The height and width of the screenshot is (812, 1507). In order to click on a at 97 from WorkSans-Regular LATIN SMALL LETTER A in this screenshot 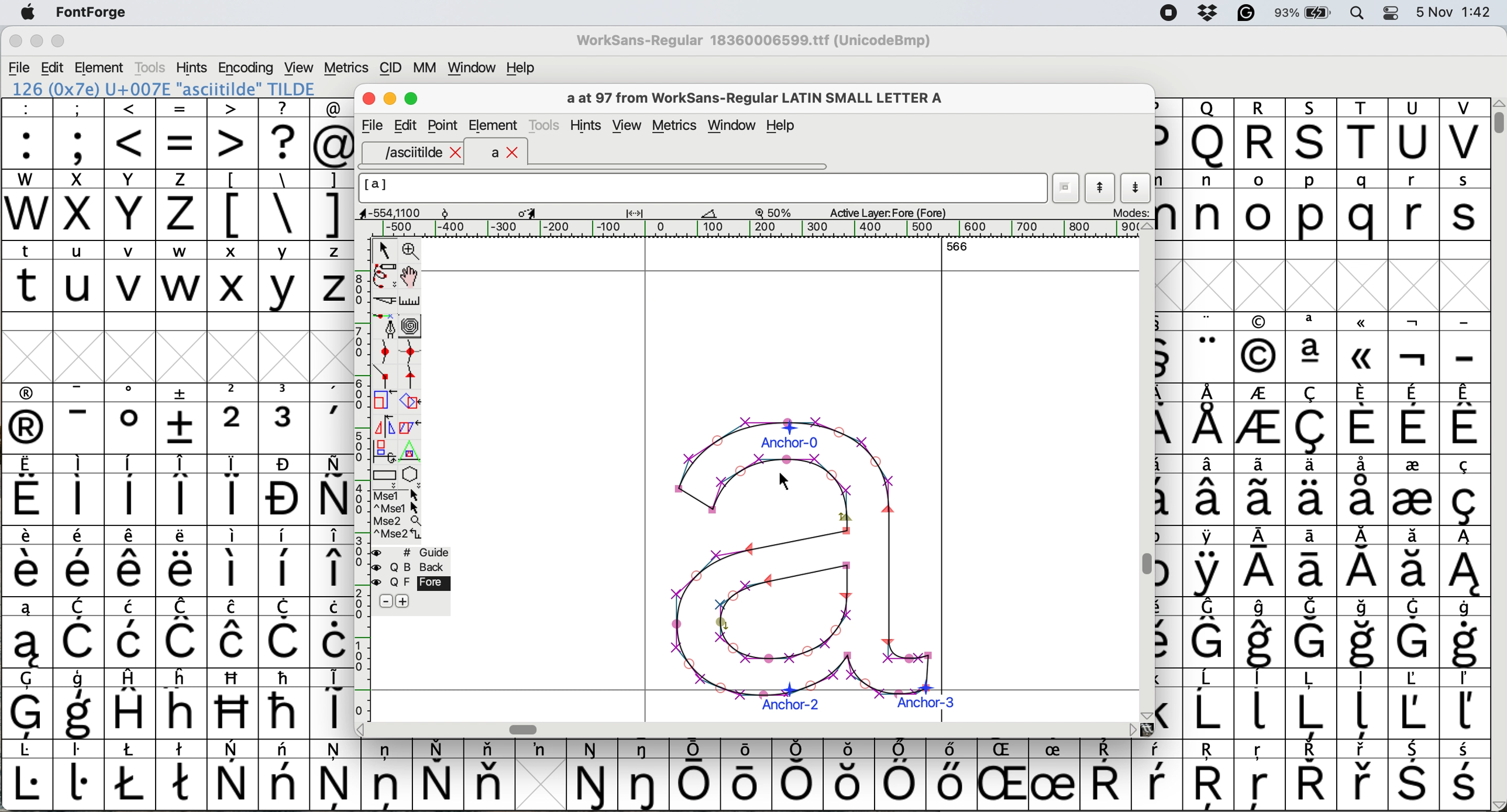, I will do `click(766, 97)`.